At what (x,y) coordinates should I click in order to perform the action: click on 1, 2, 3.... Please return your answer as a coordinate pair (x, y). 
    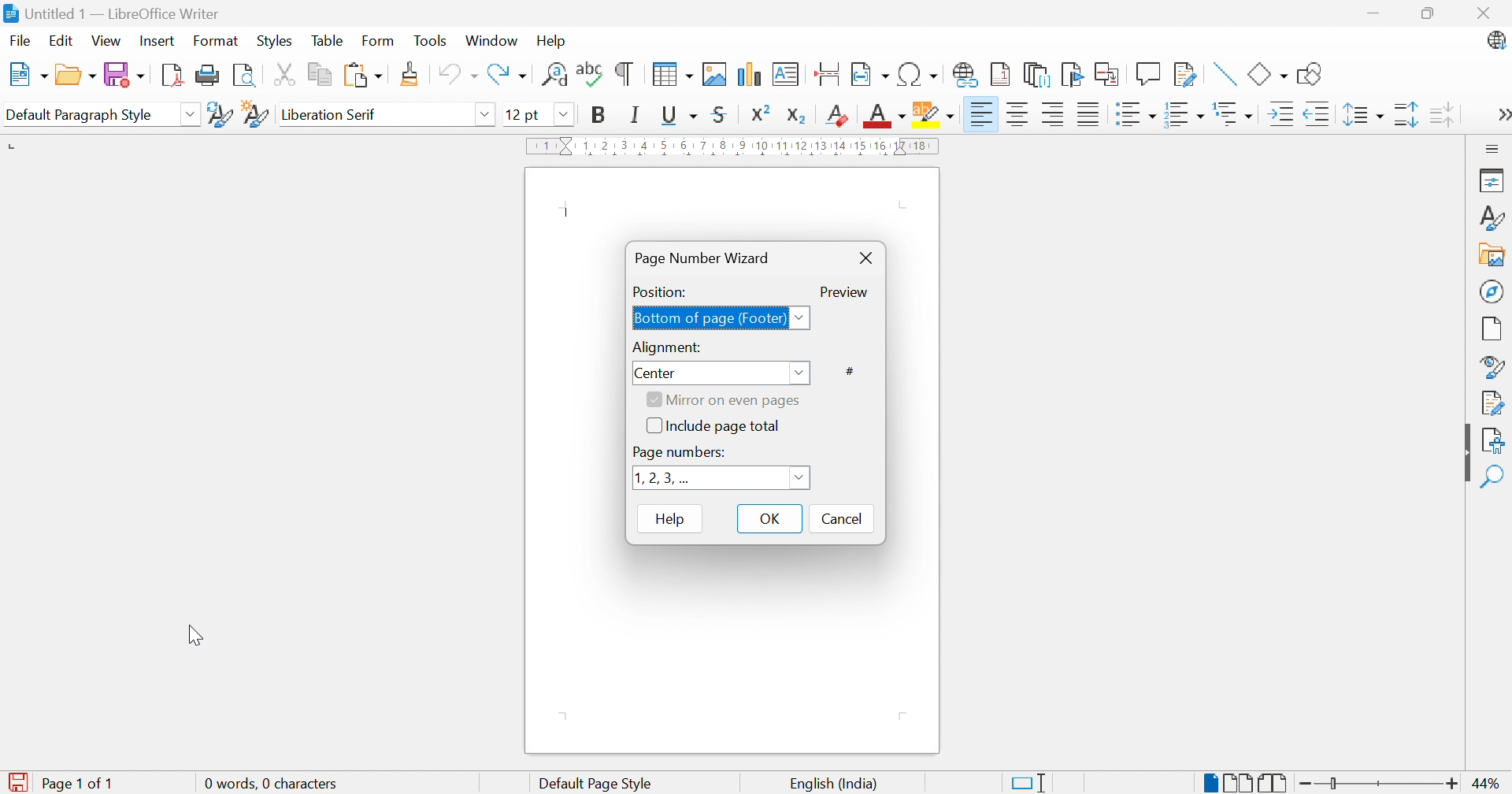
    Looking at the image, I should click on (662, 477).